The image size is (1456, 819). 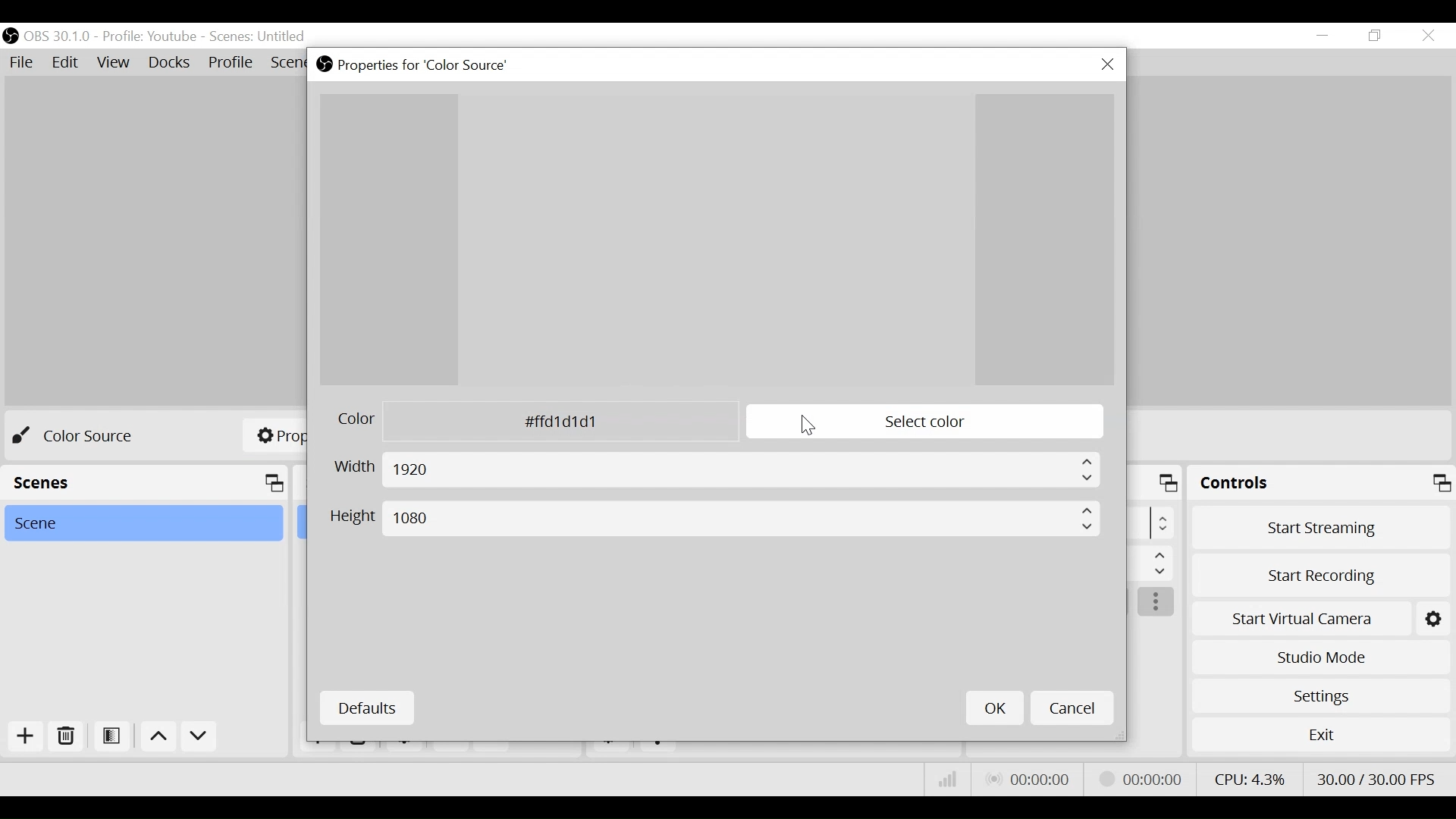 I want to click on Start Virtual Camera, so click(x=1321, y=620).